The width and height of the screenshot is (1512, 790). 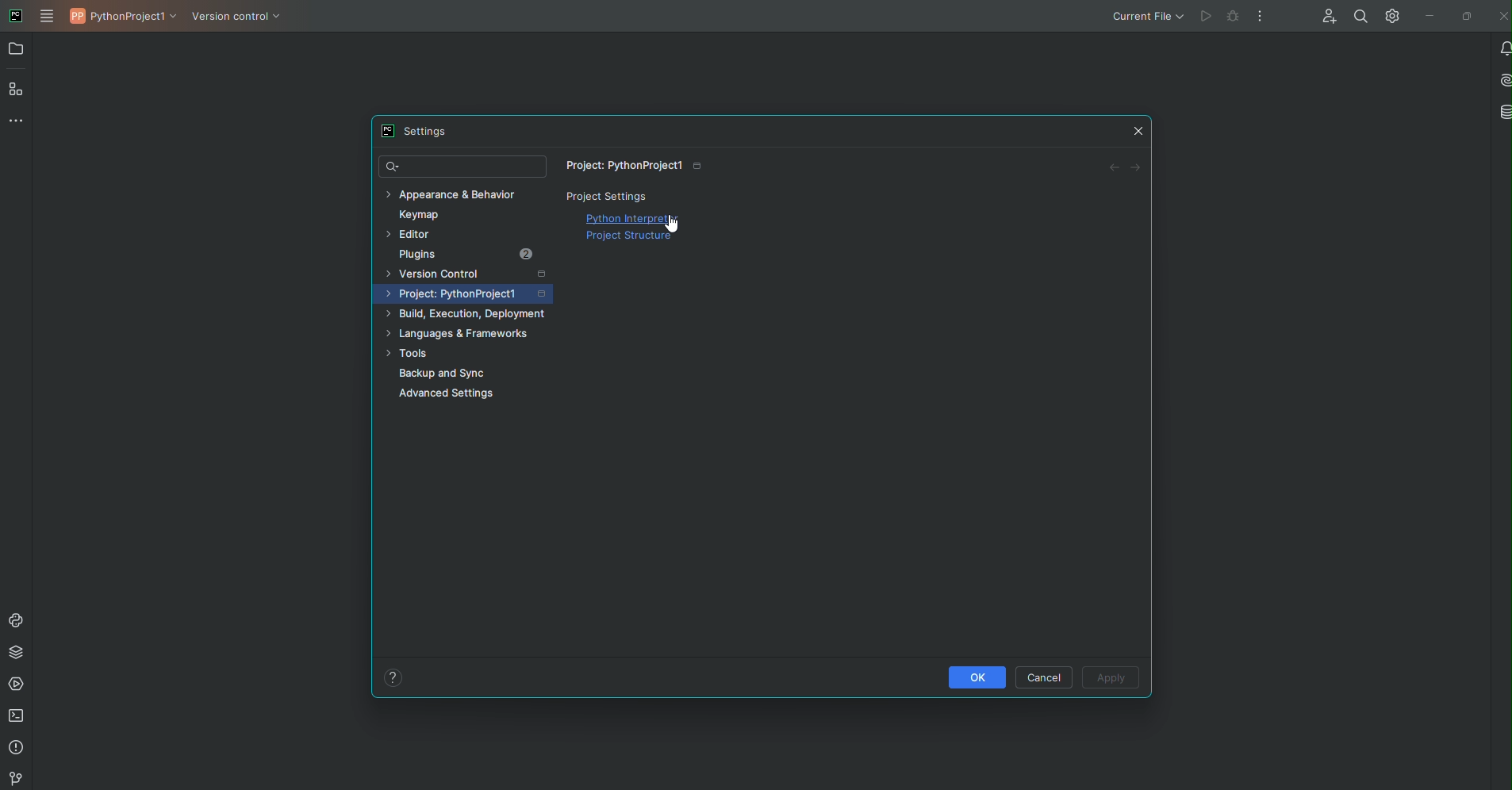 I want to click on Database, so click(x=1502, y=110).